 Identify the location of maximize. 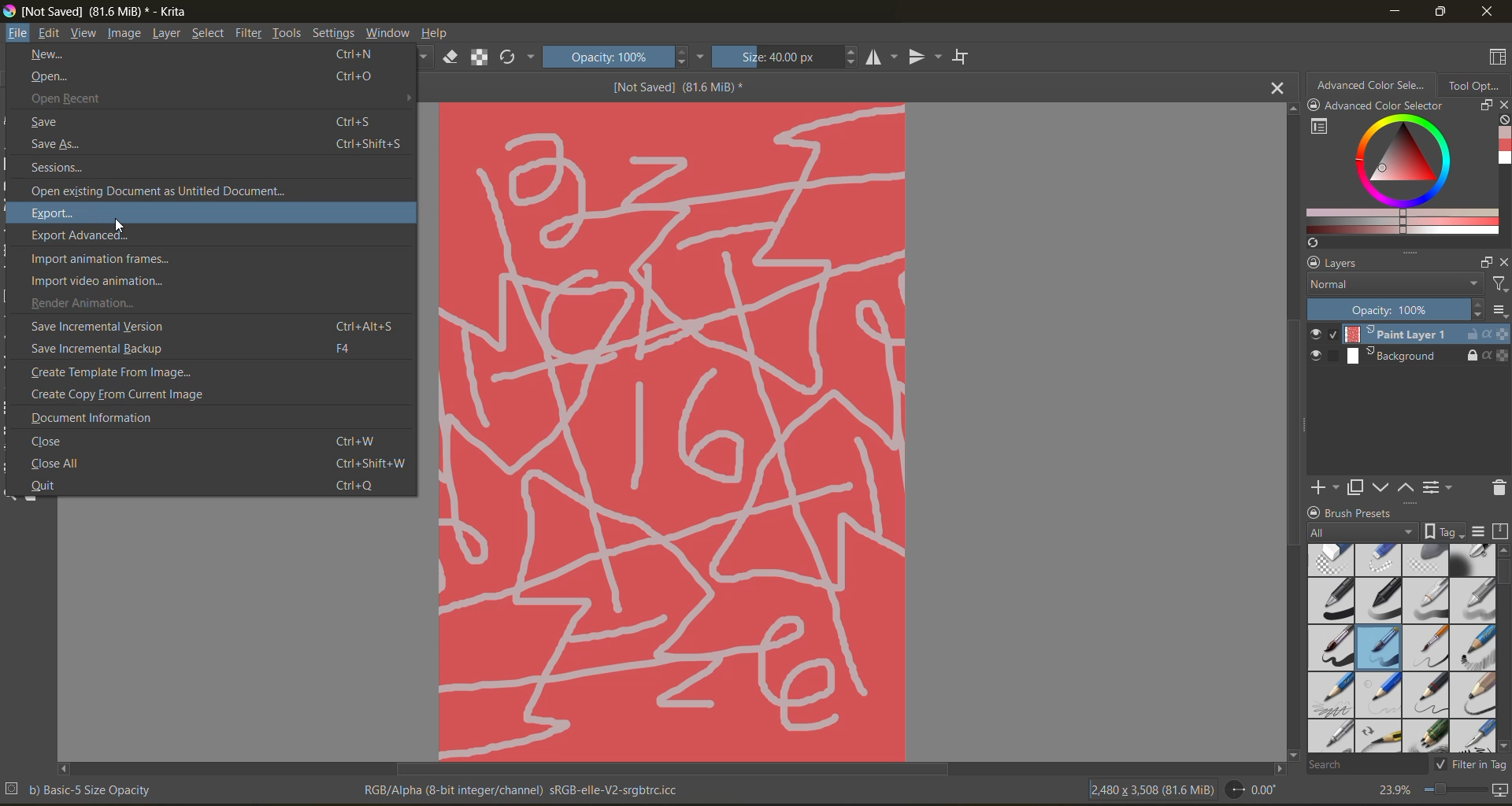
(1436, 11).